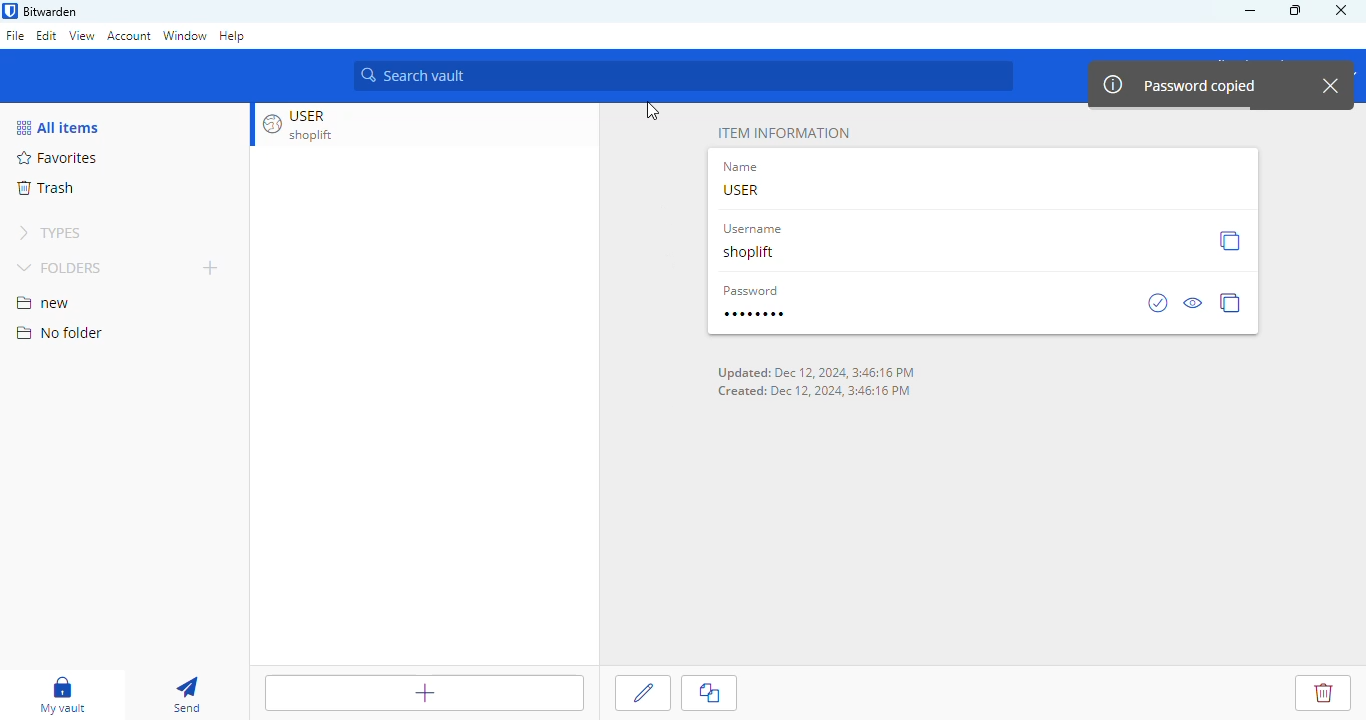 This screenshot has height=720, width=1366. What do you see at coordinates (816, 391) in the screenshot?
I see `Created: Dec 12, 2024, 3:46:16 PM` at bounding box center [816, 391].